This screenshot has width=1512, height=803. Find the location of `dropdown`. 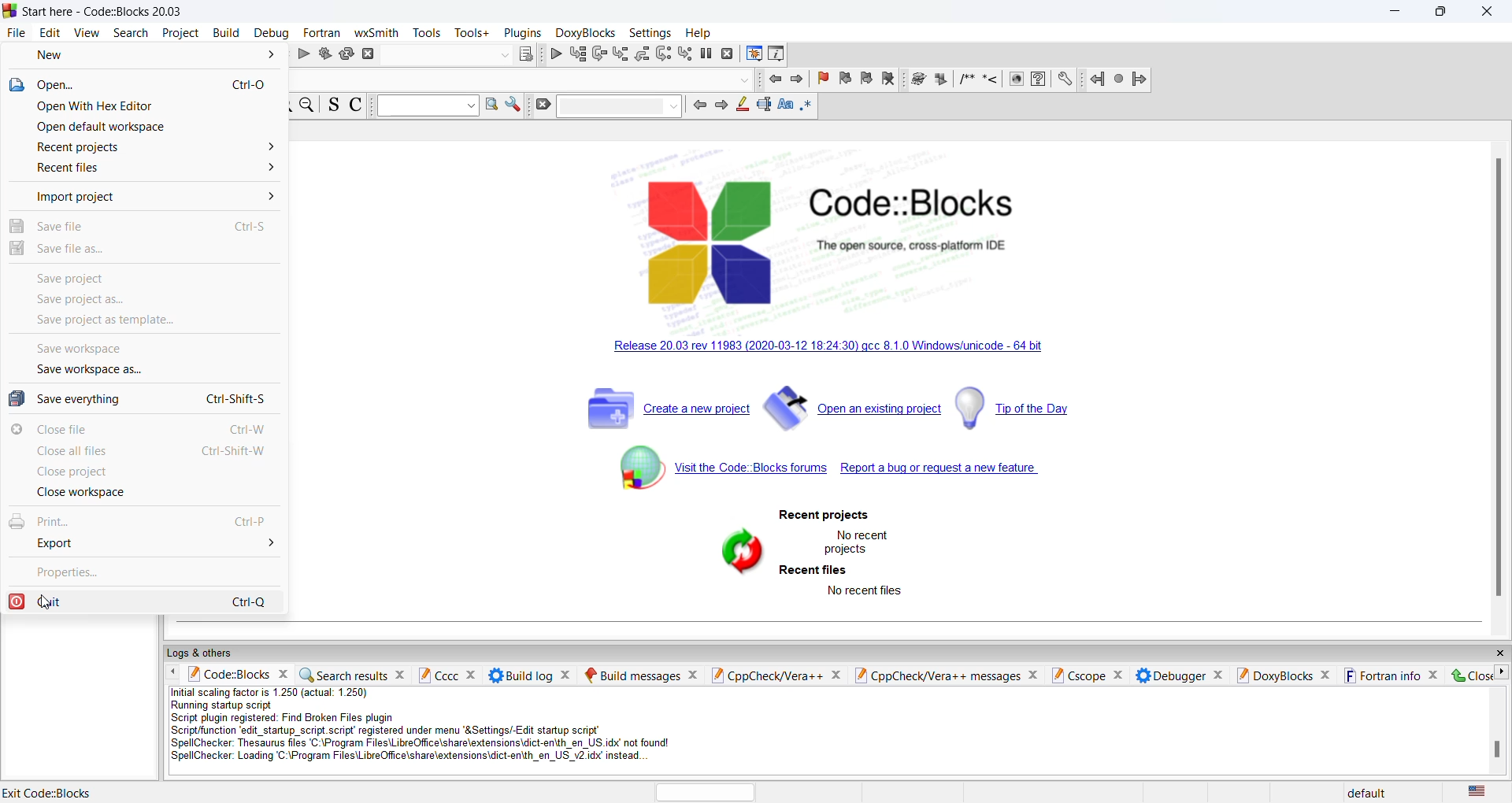

dropdown is located at coordinates (428, 105).